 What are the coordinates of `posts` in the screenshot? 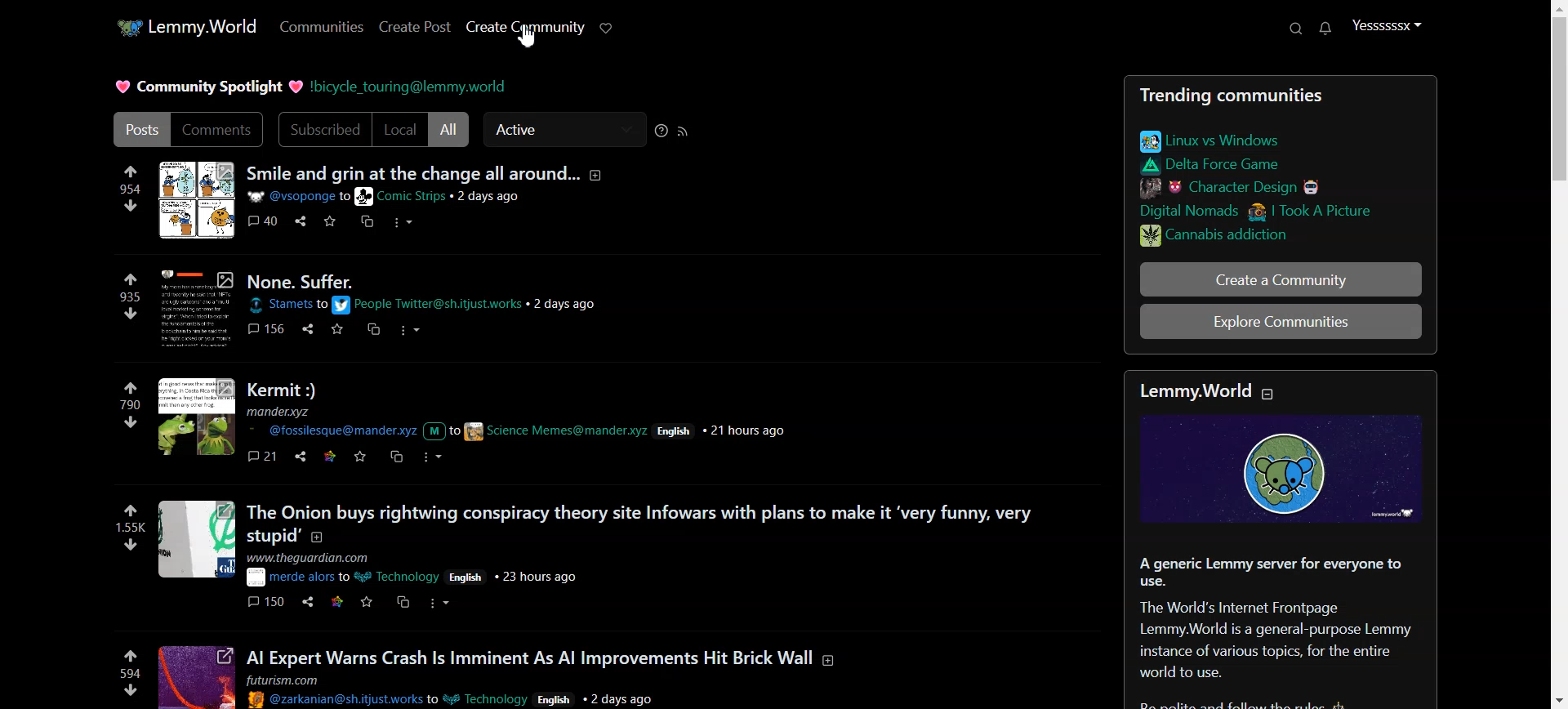 It's located at (583, 658).